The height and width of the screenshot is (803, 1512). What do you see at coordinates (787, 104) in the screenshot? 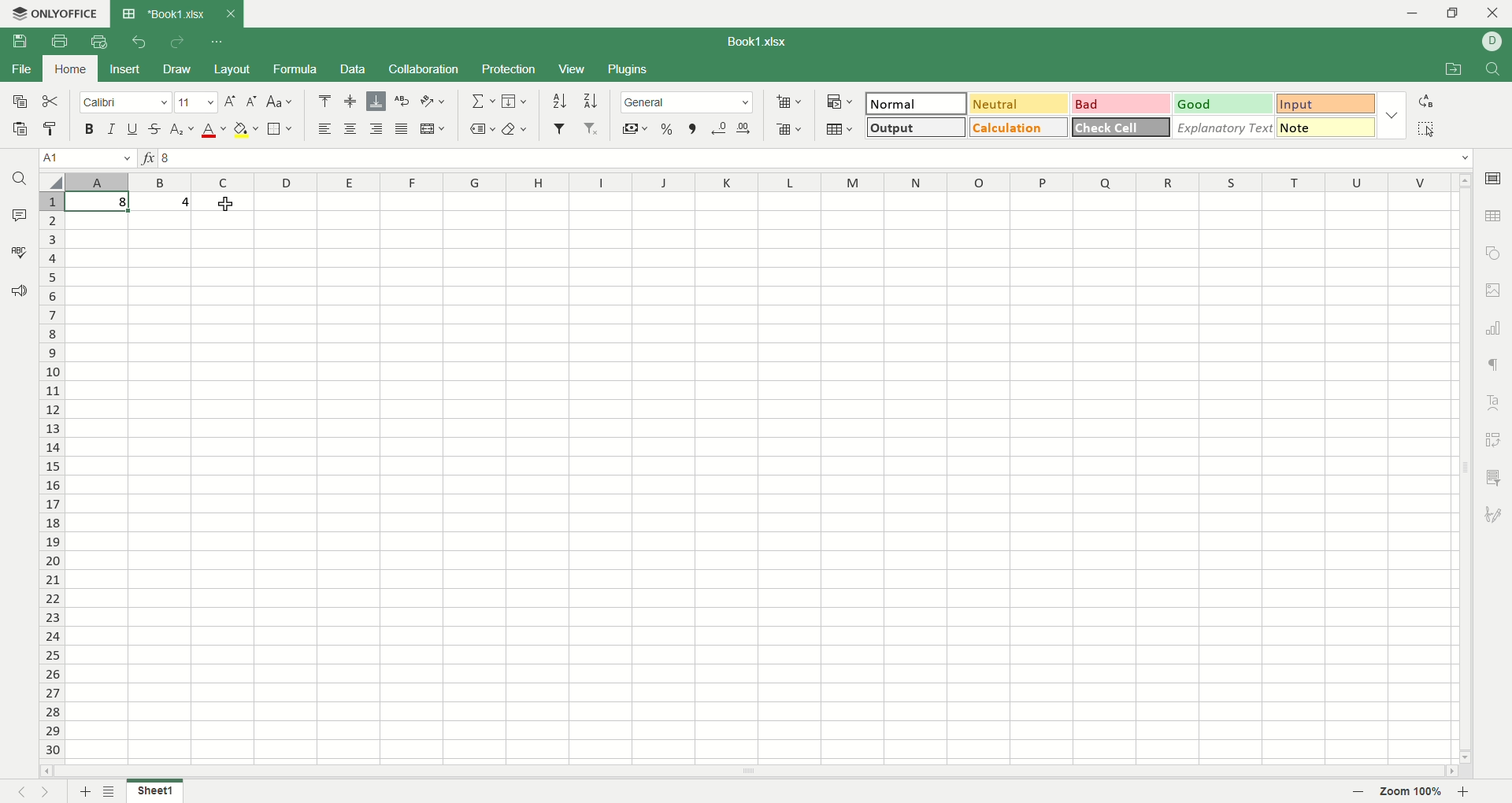
I see `insert cell` at bounding box center [787, 104].